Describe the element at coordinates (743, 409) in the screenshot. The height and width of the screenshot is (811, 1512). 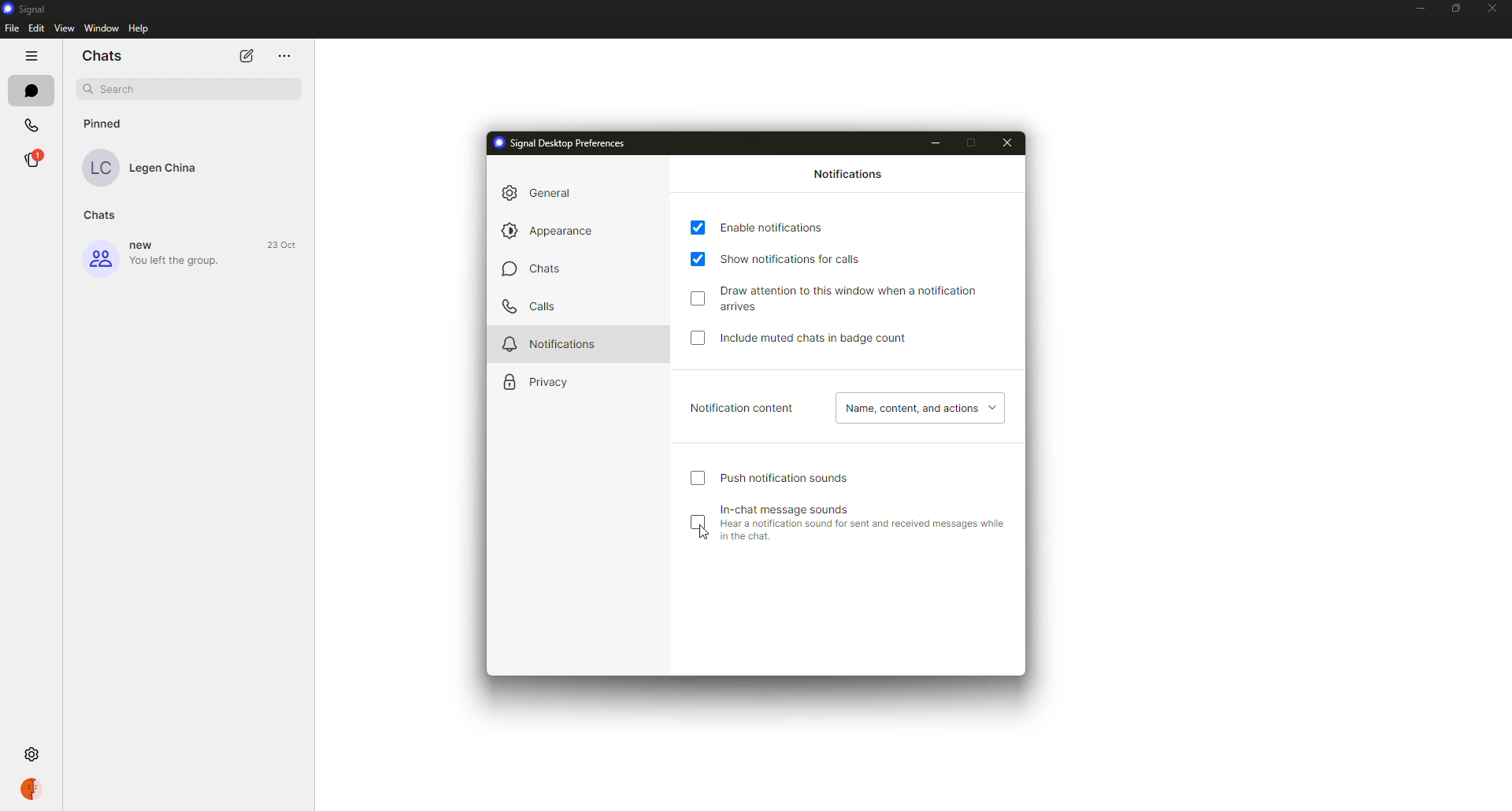
I see `notification content` at that location.